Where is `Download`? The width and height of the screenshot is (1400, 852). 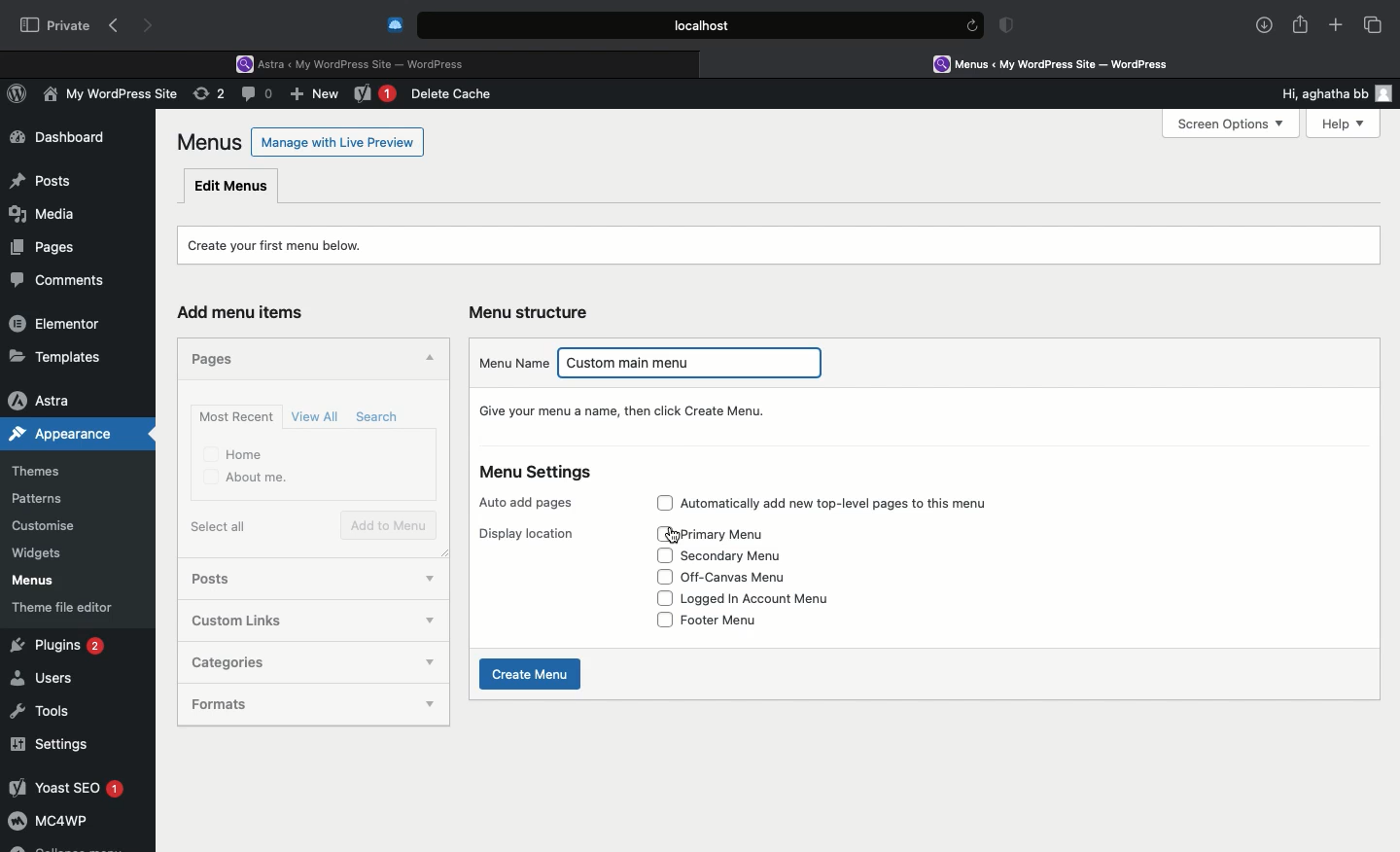 Download is located at coordinates (1265, 25).